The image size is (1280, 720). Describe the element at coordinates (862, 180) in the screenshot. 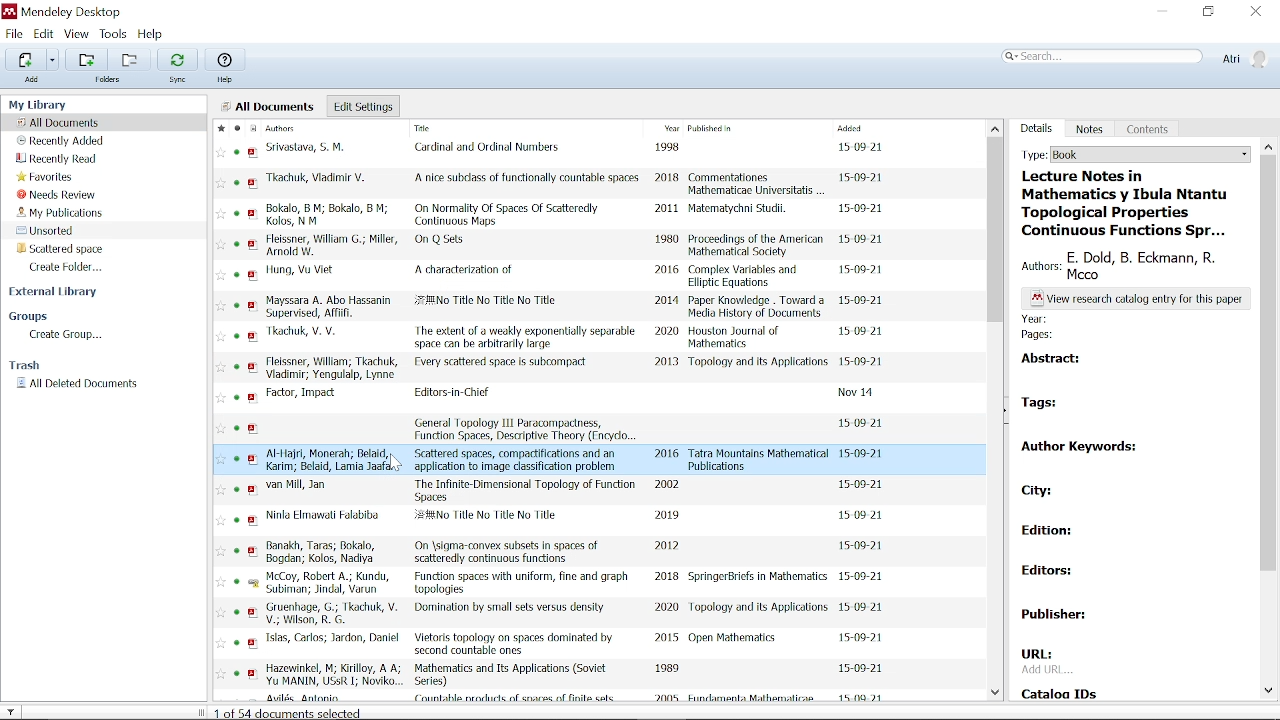

I see `date` at that location.